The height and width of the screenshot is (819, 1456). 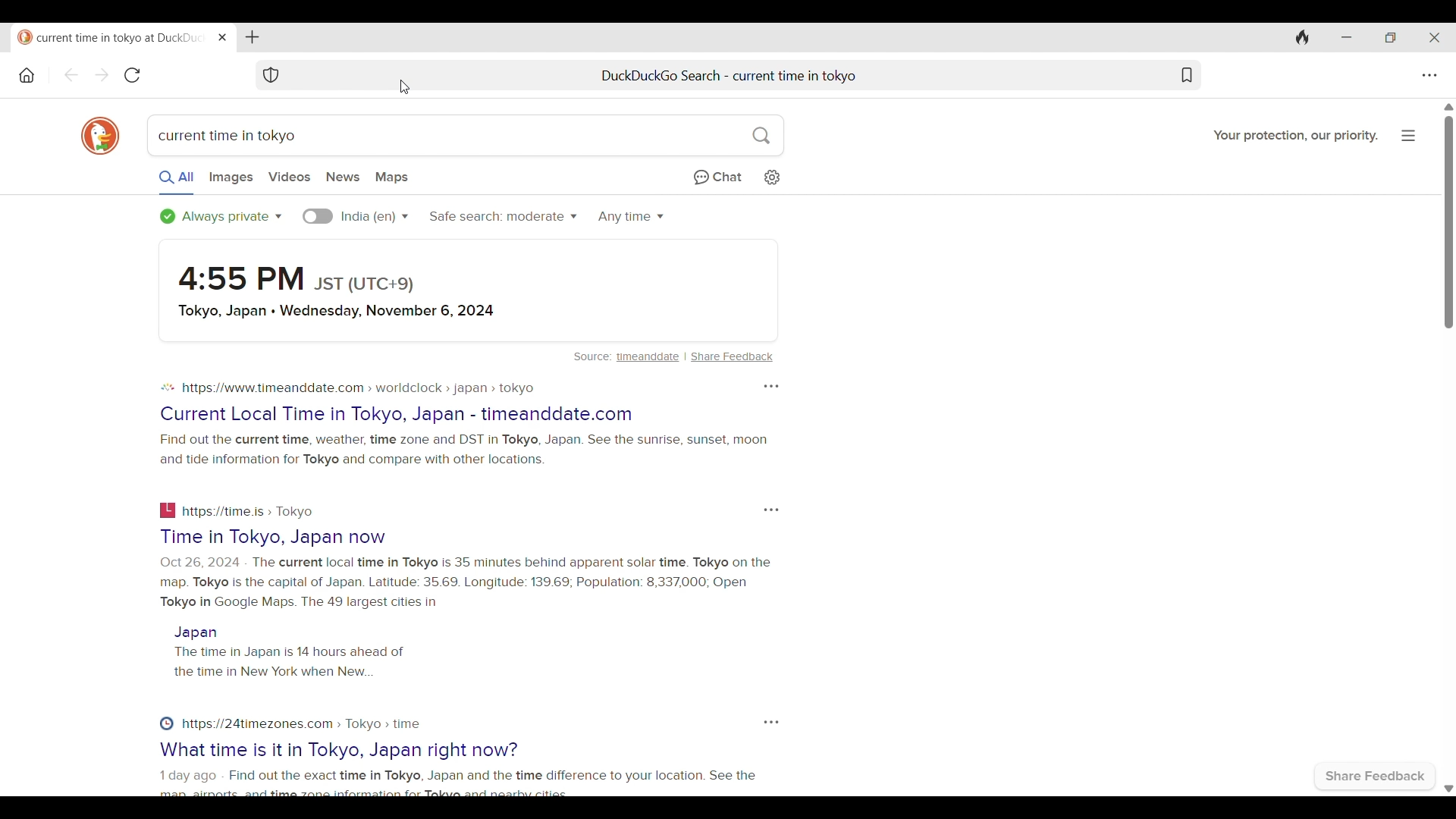 What do you see at coordinates (718, 177) in the screenshot?
I see `Chat privately with AI` at bounding box center [718, 177].